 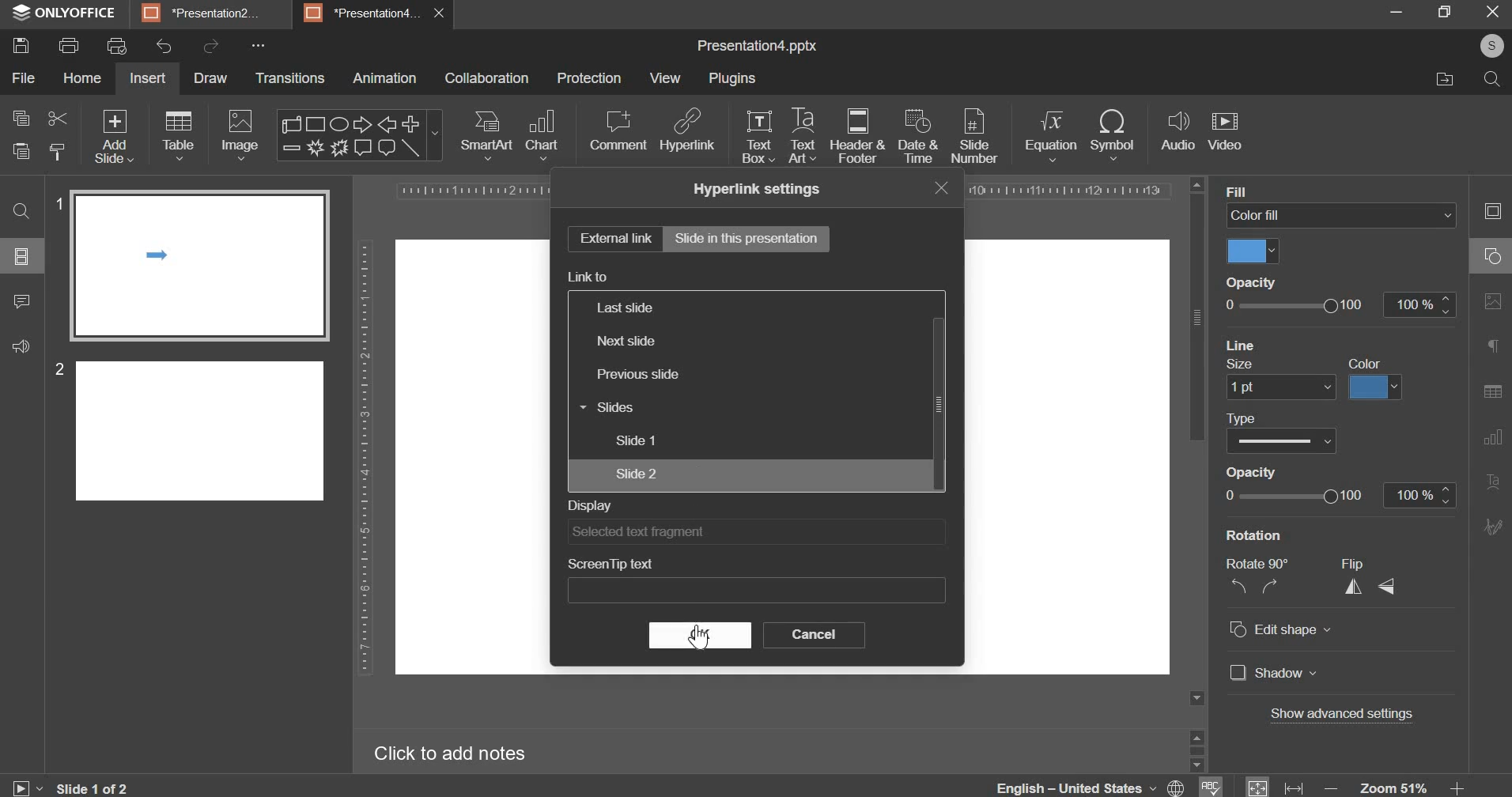 What do you see at coordinates (384, 80) in the screenshot?
I see `animation` at bounding box center [384, 80].